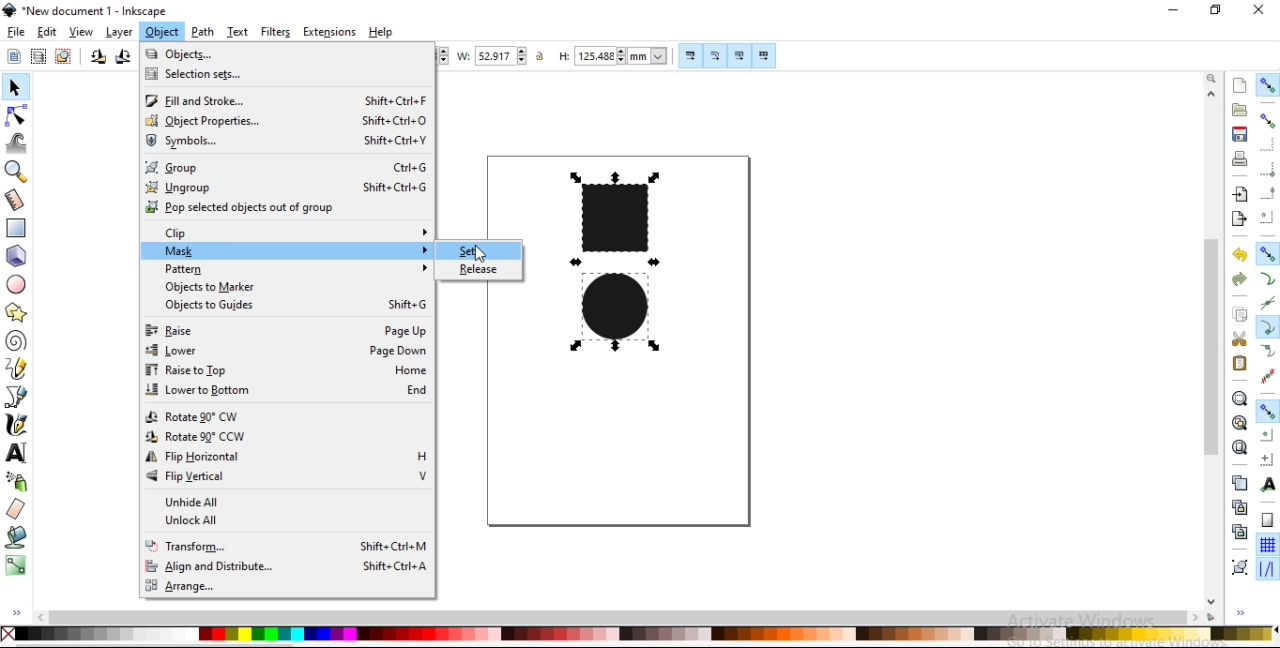 The height and width of the screenshot is (648, 1280). What do you see at coordinates (1237, 533) in the screenshot?
I see `cut selected clone` at bounding box center [1237, 533].